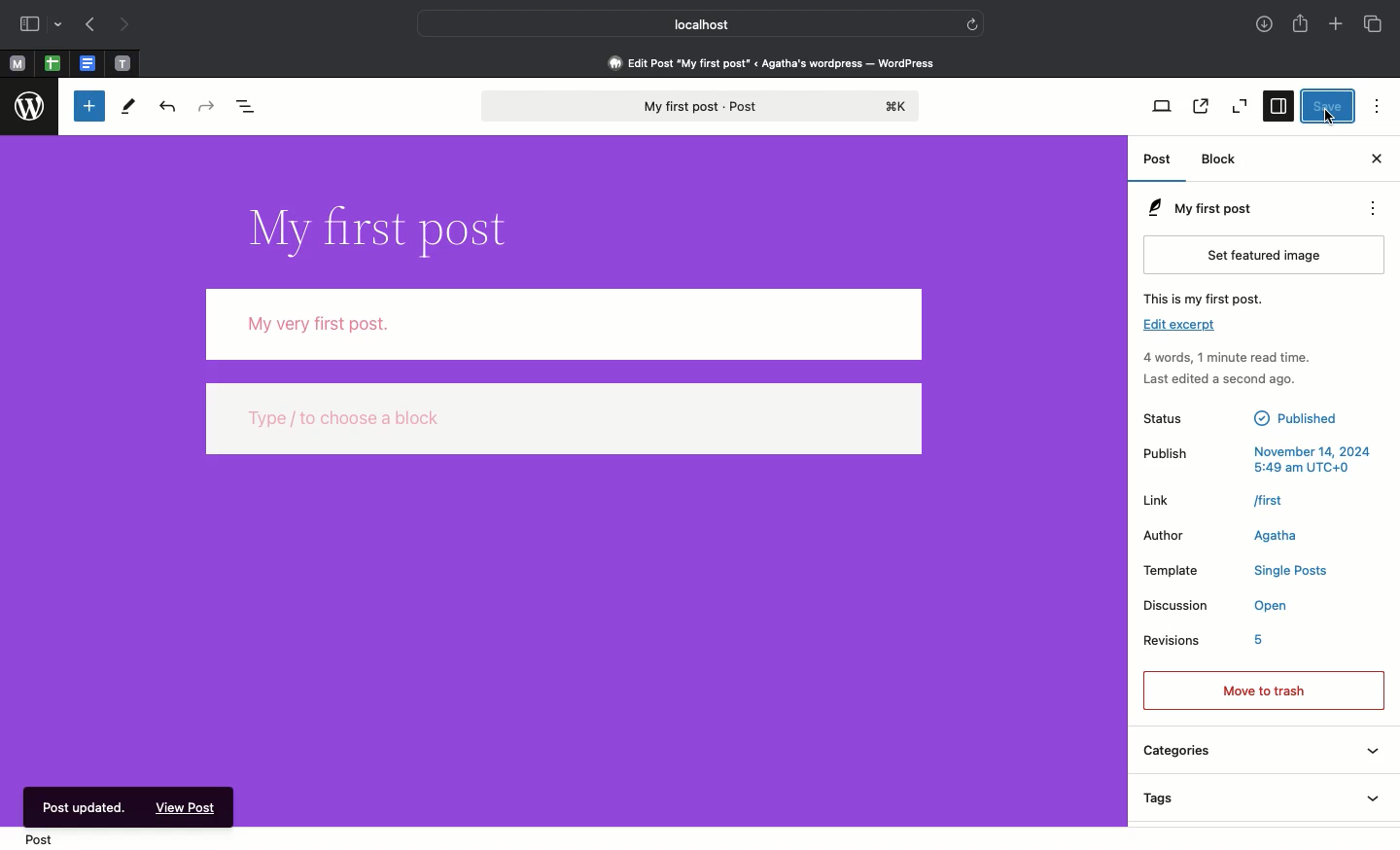 The image size is (1400, 850). What do you see at coordinates (1335, 25) in the screenshot?
I see `Add new tab` at bounding box center [1335, 25].